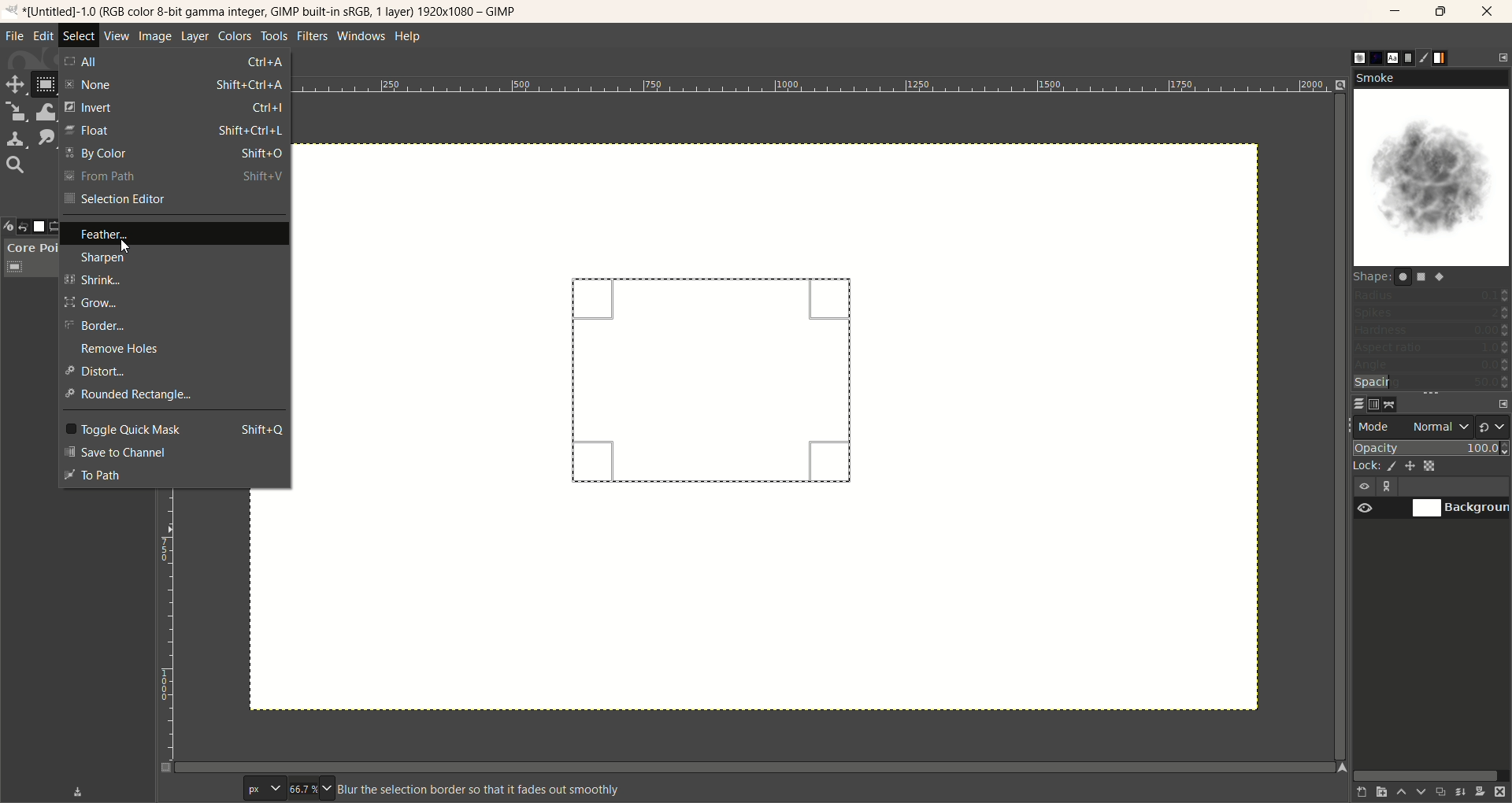  Describe the element at coordinates (1421, 792) in the screenshot. I see `lower this layer one step` at that location.